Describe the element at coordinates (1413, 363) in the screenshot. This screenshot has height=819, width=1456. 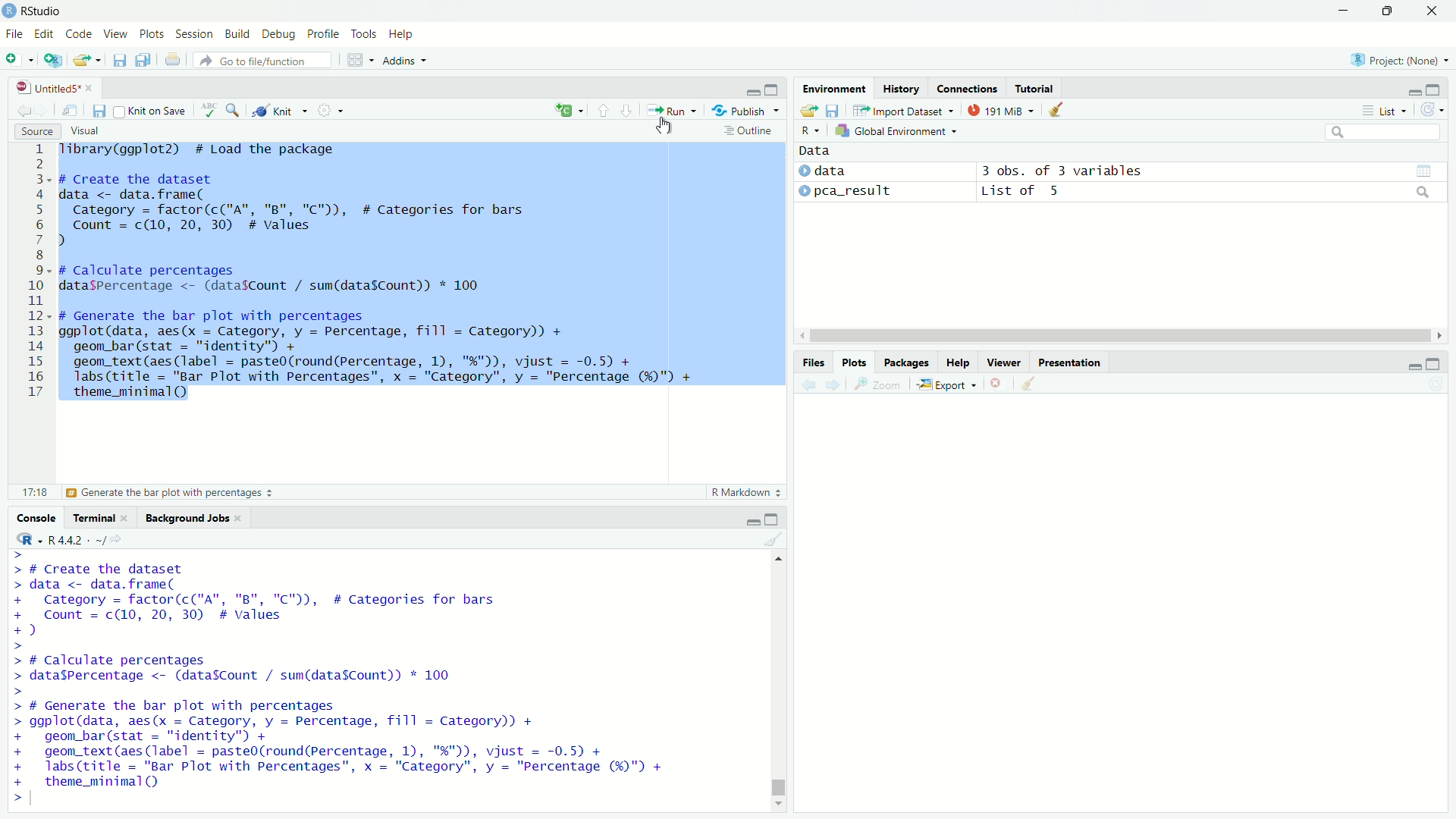
I see `minimize` at that location.